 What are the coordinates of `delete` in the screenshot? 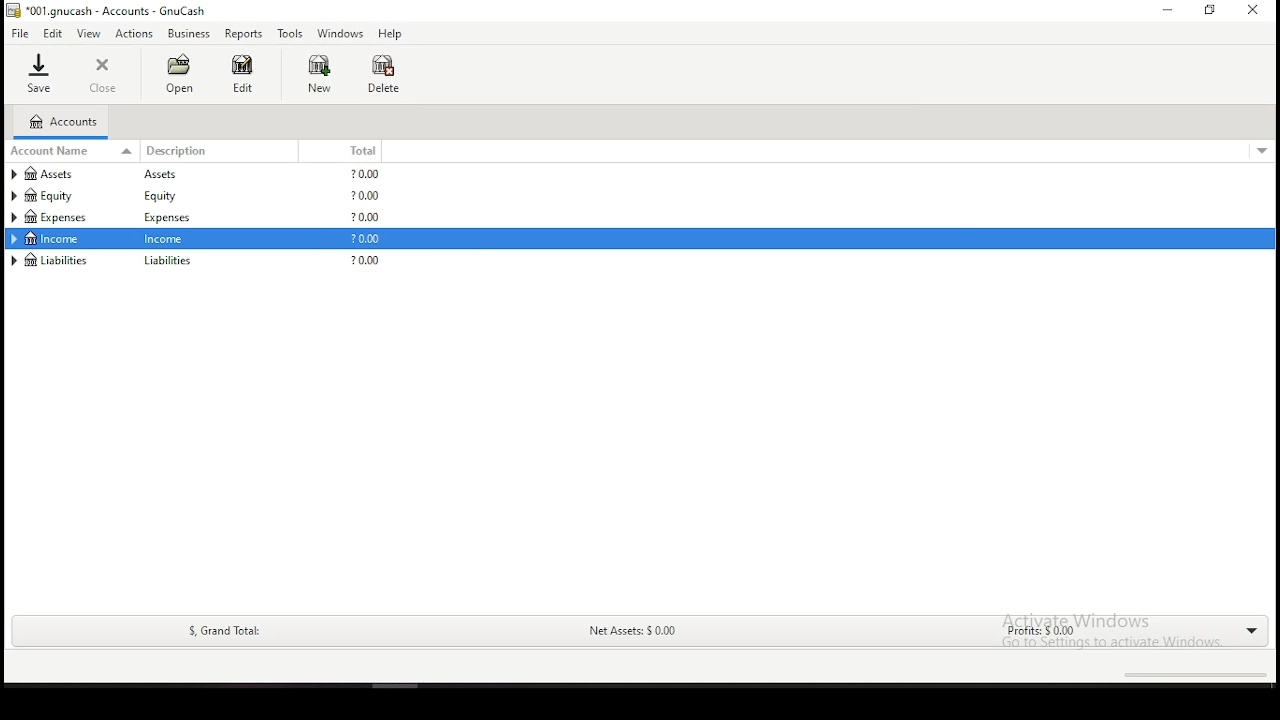 It's located at (384, 74).